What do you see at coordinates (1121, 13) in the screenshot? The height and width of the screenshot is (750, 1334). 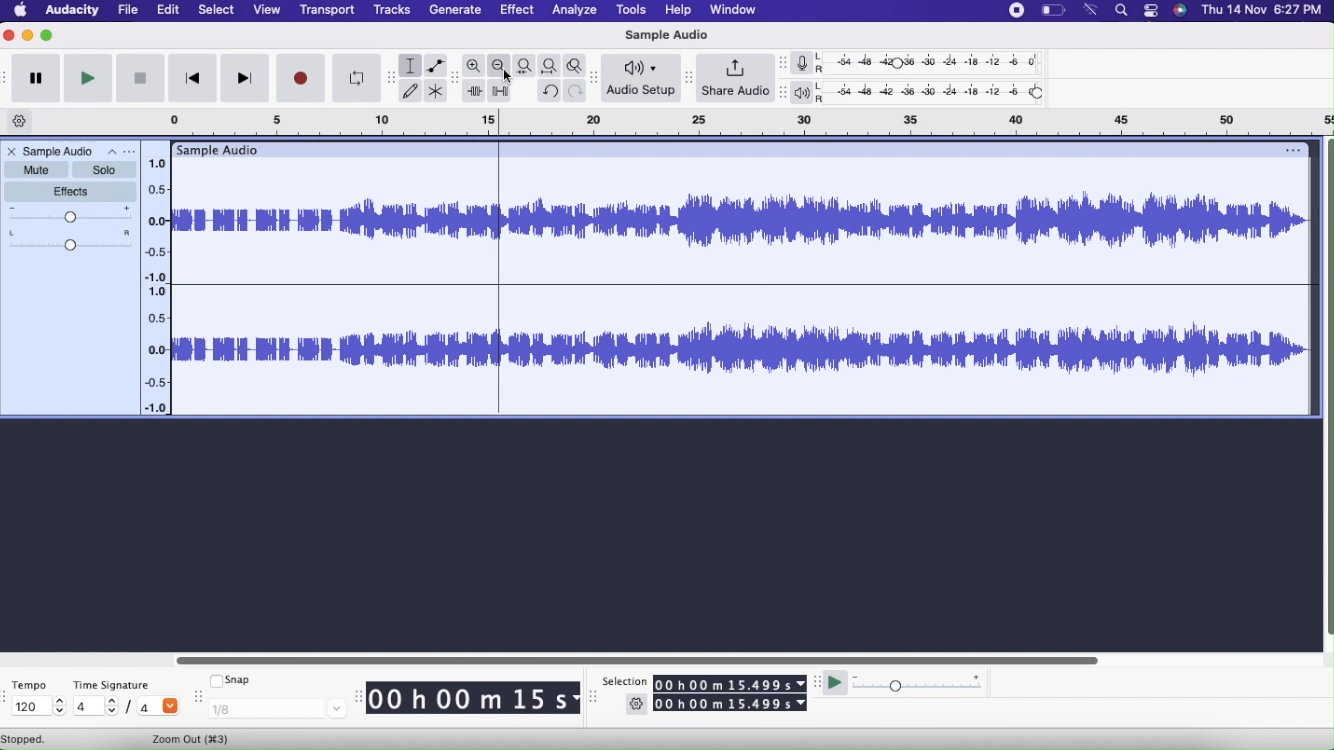 I see `find` at bounding box center [1121, 13].